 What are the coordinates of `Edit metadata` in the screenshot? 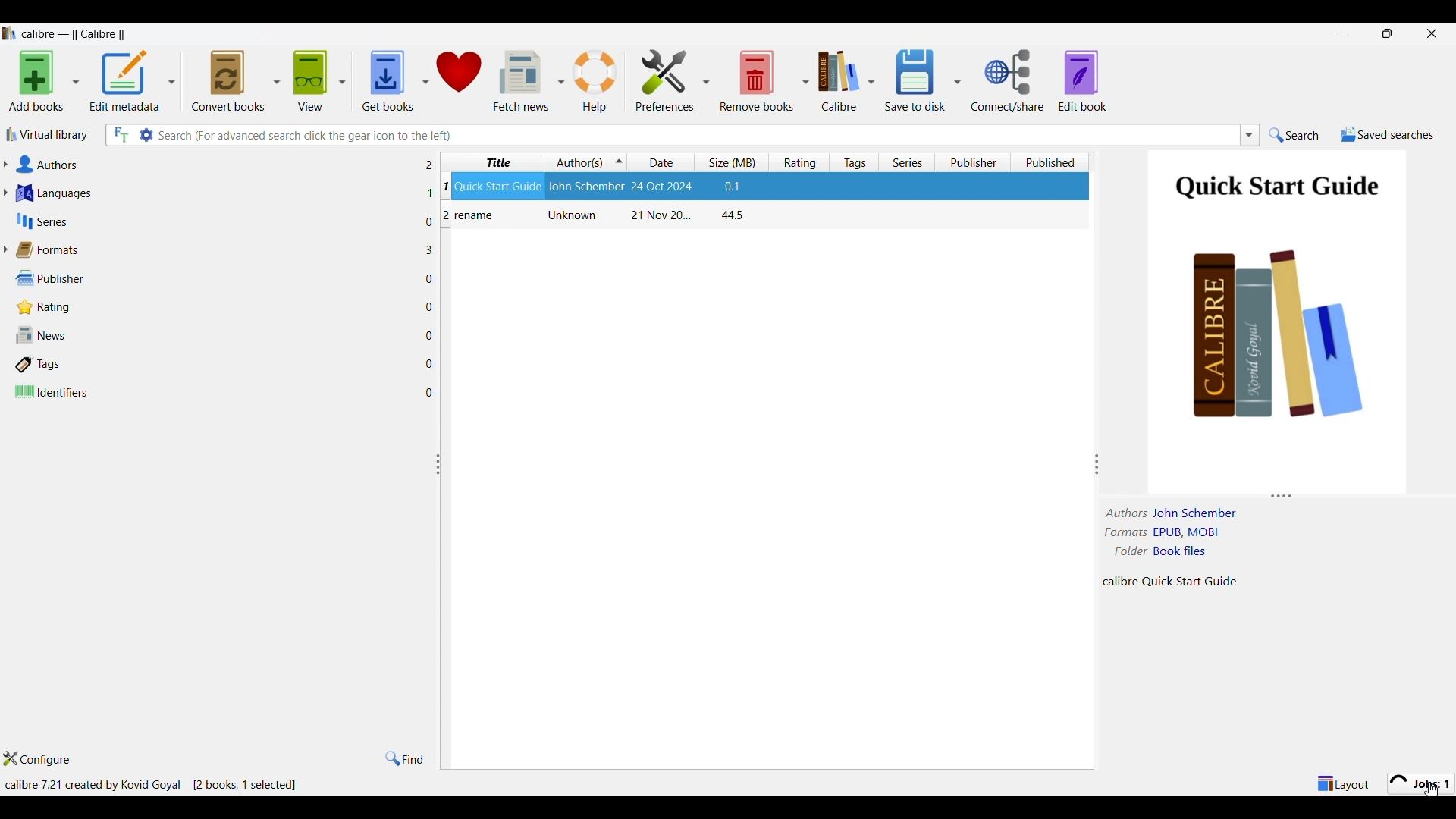 It's located at (125, 81).